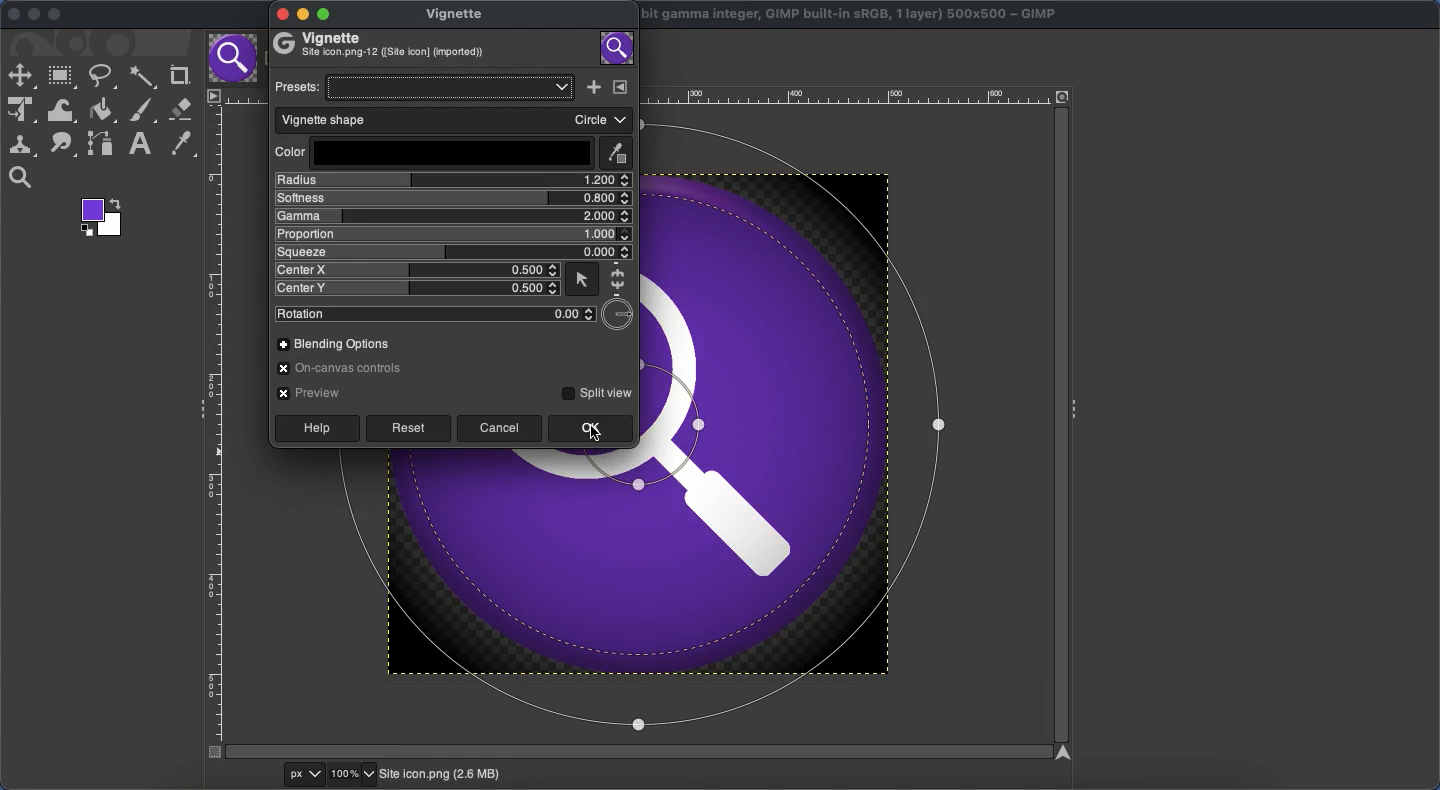 The image size is (1440, 790). What do you see at coordinates (212, 95) in the screenshot?
I see `Menu` at bounding box center [212, 95].